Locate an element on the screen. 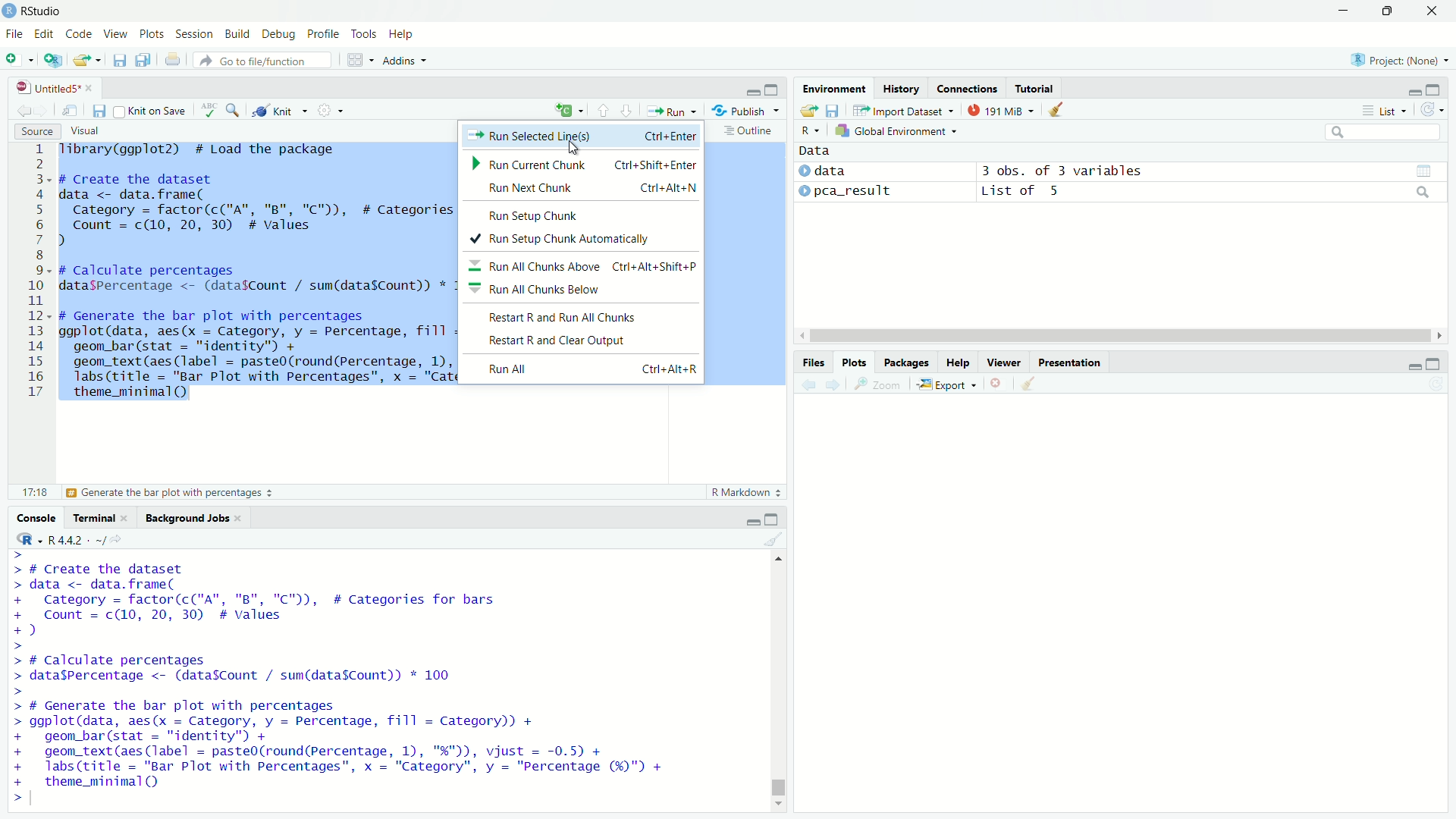  minimize is located at coordinates (752, 89).